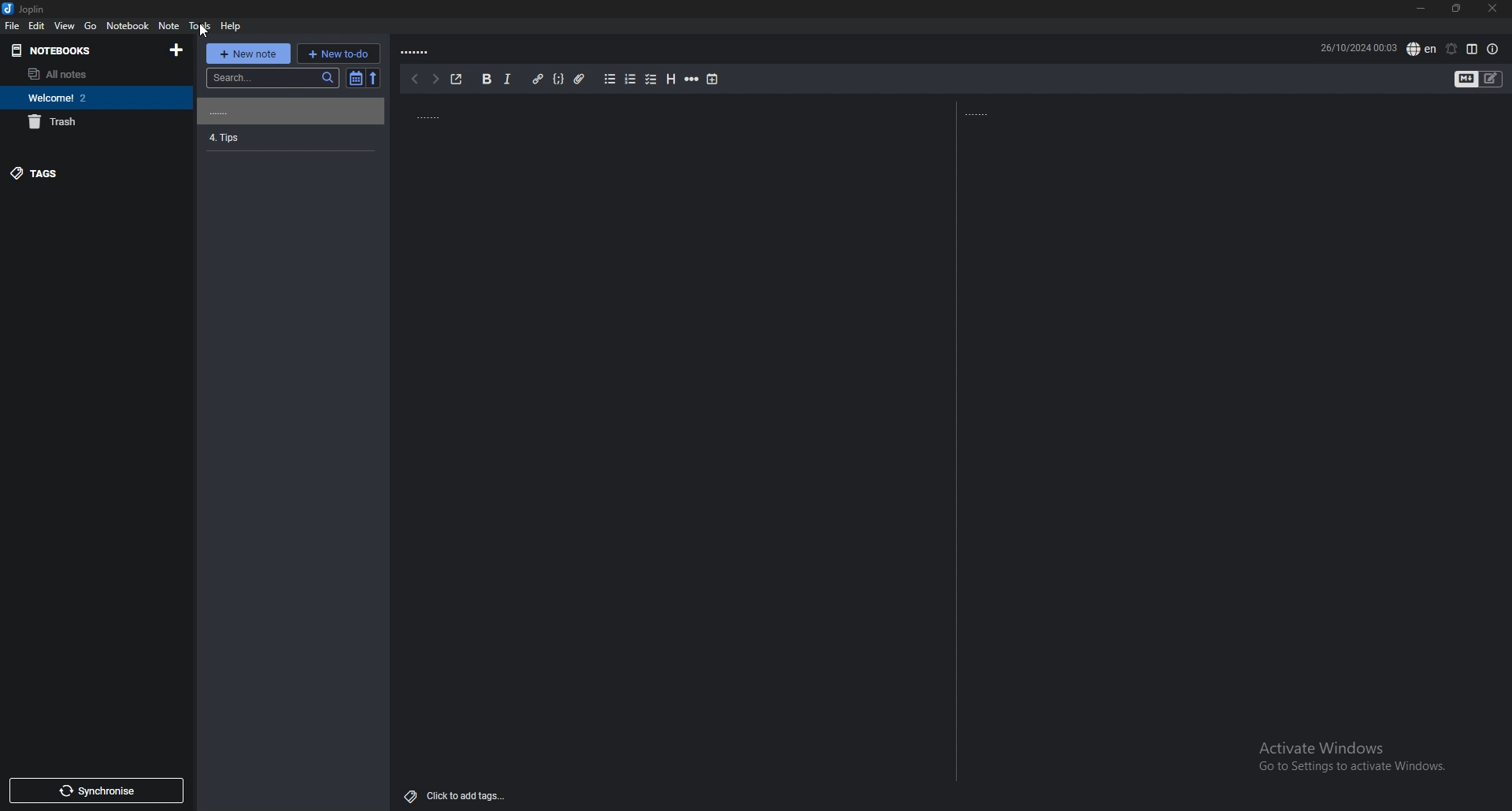 This screenshot has height=811, width=1512. What do you see at coordinates (713, 80) in the screenshot?
I see `add time` at bounding box center [713, 80].